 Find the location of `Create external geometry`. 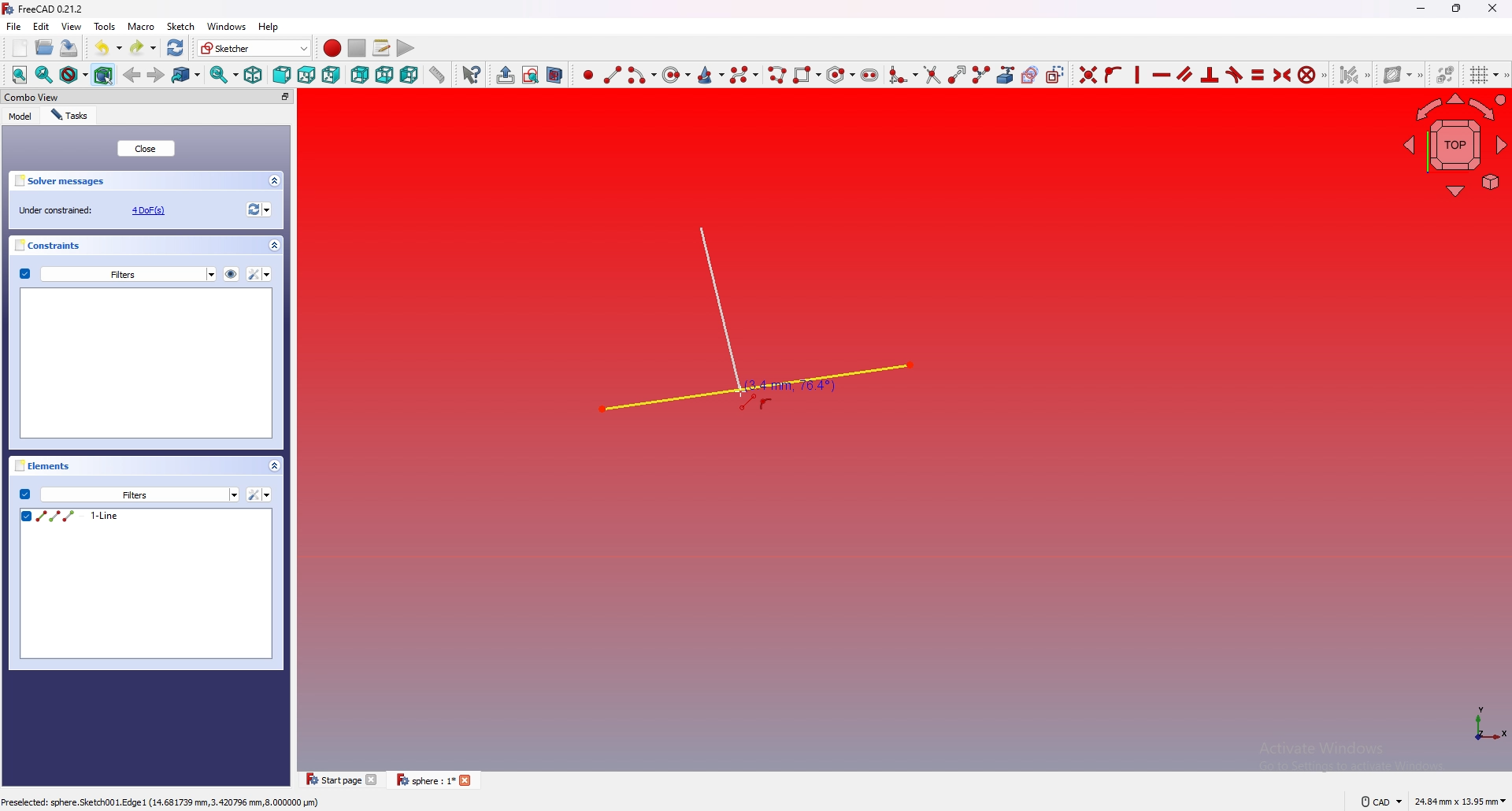

Create external geometry is located at coordinates (1004, 75).